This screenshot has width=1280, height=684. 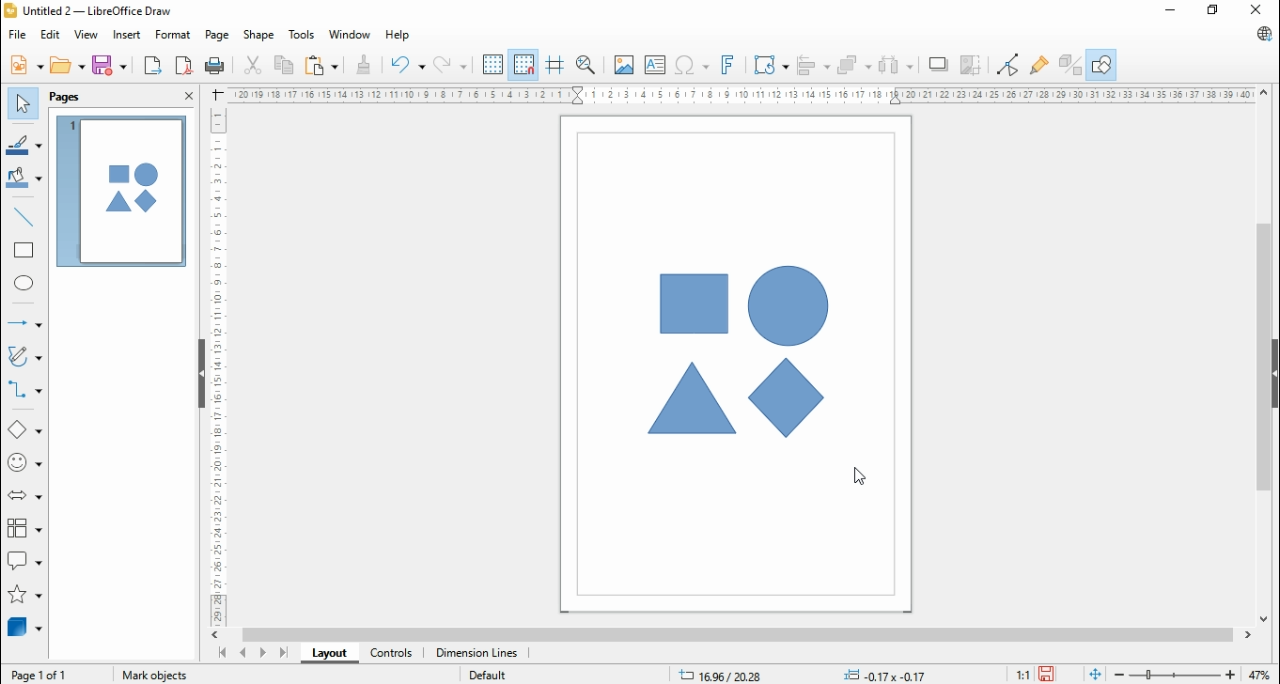 I want to click on rectangle, so click(x=23, y=250).